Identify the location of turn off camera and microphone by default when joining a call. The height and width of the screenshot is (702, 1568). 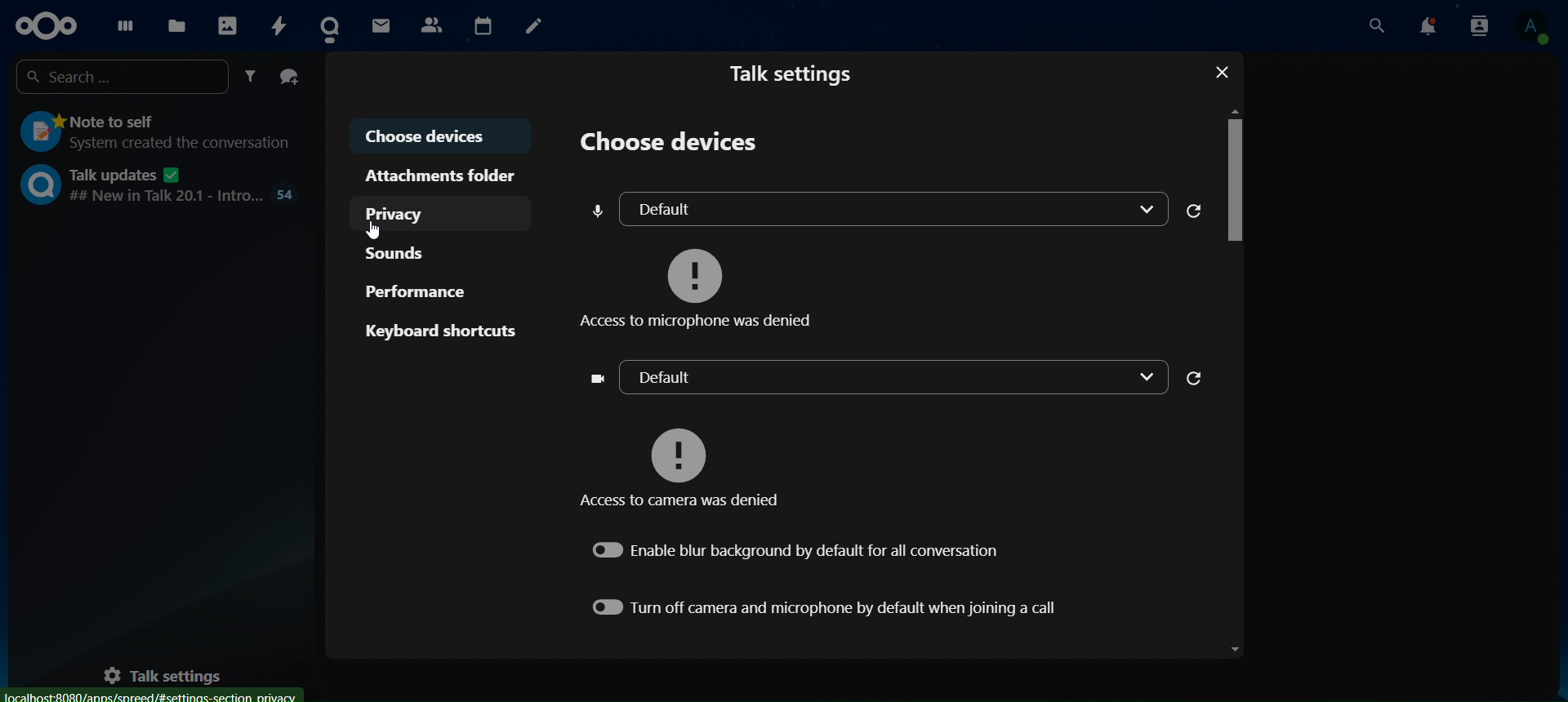
(840, 605).